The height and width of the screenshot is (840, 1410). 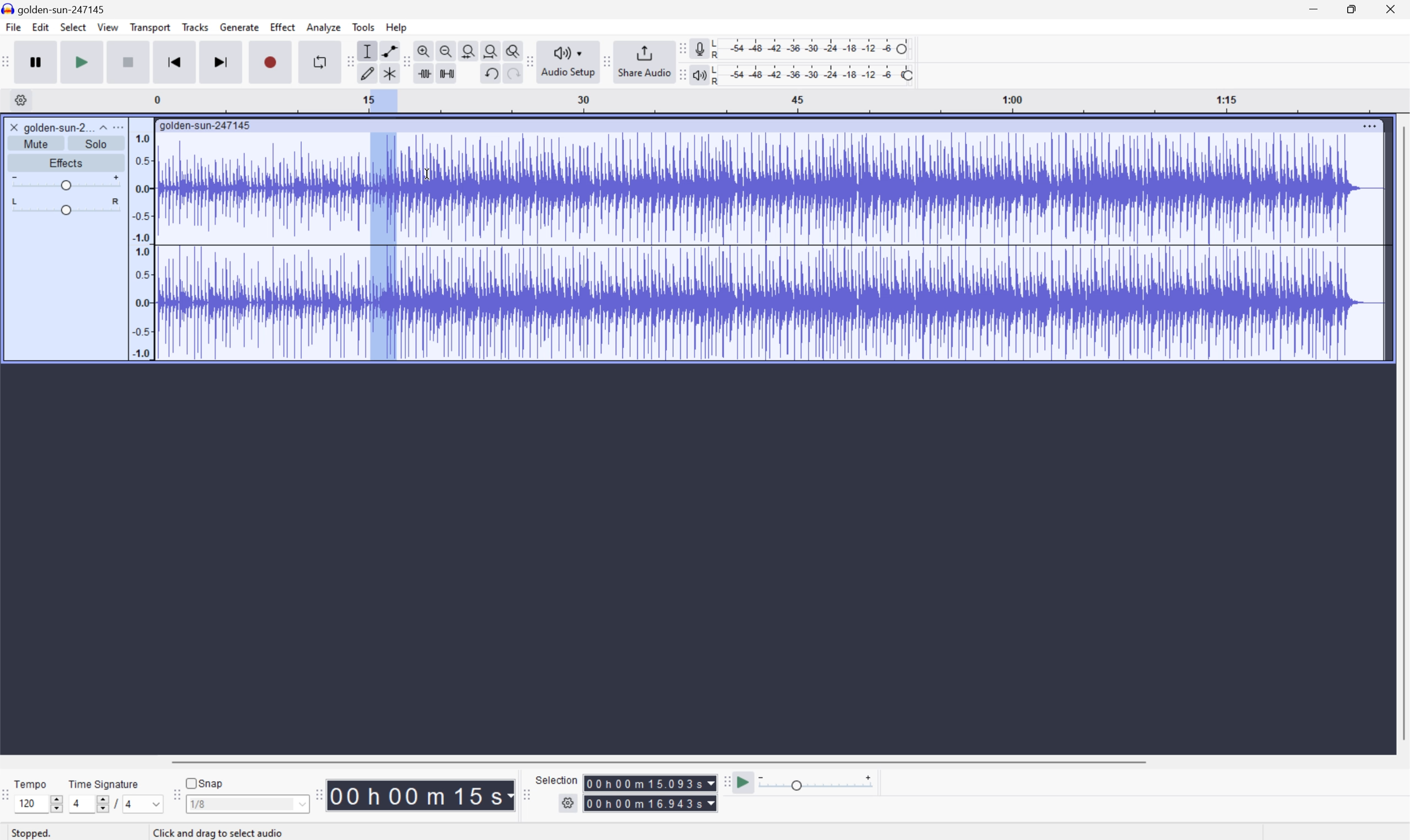 What do you see at coordinates (206, 125) in the screenshot?
I see `golden-sun-247145` at bounding box center [206, 125].